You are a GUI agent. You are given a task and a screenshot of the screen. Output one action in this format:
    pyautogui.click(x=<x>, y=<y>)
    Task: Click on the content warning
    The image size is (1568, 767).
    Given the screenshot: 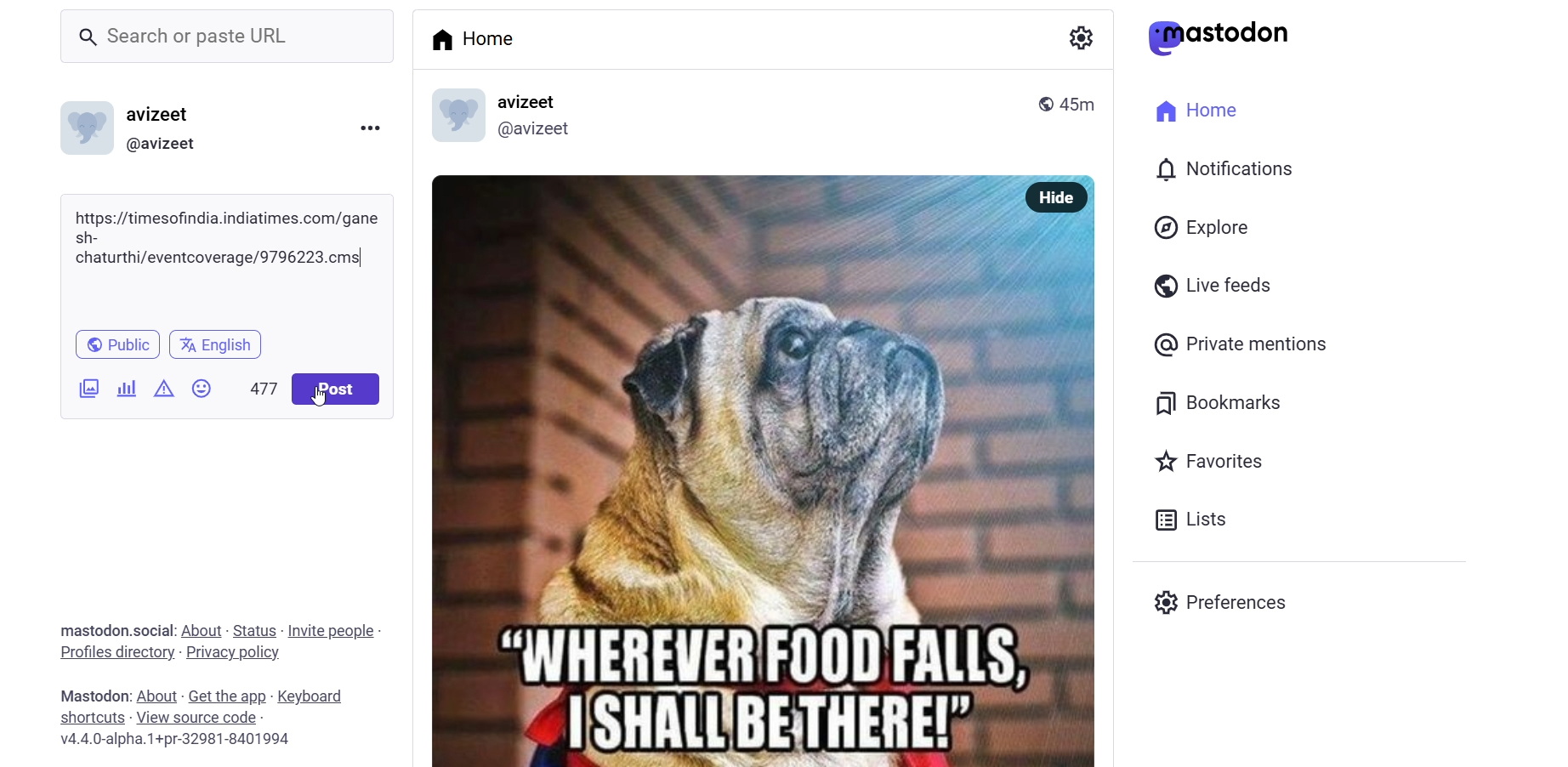 What is the action you would take?
    pyautogui.click(x=162, y=390)
    